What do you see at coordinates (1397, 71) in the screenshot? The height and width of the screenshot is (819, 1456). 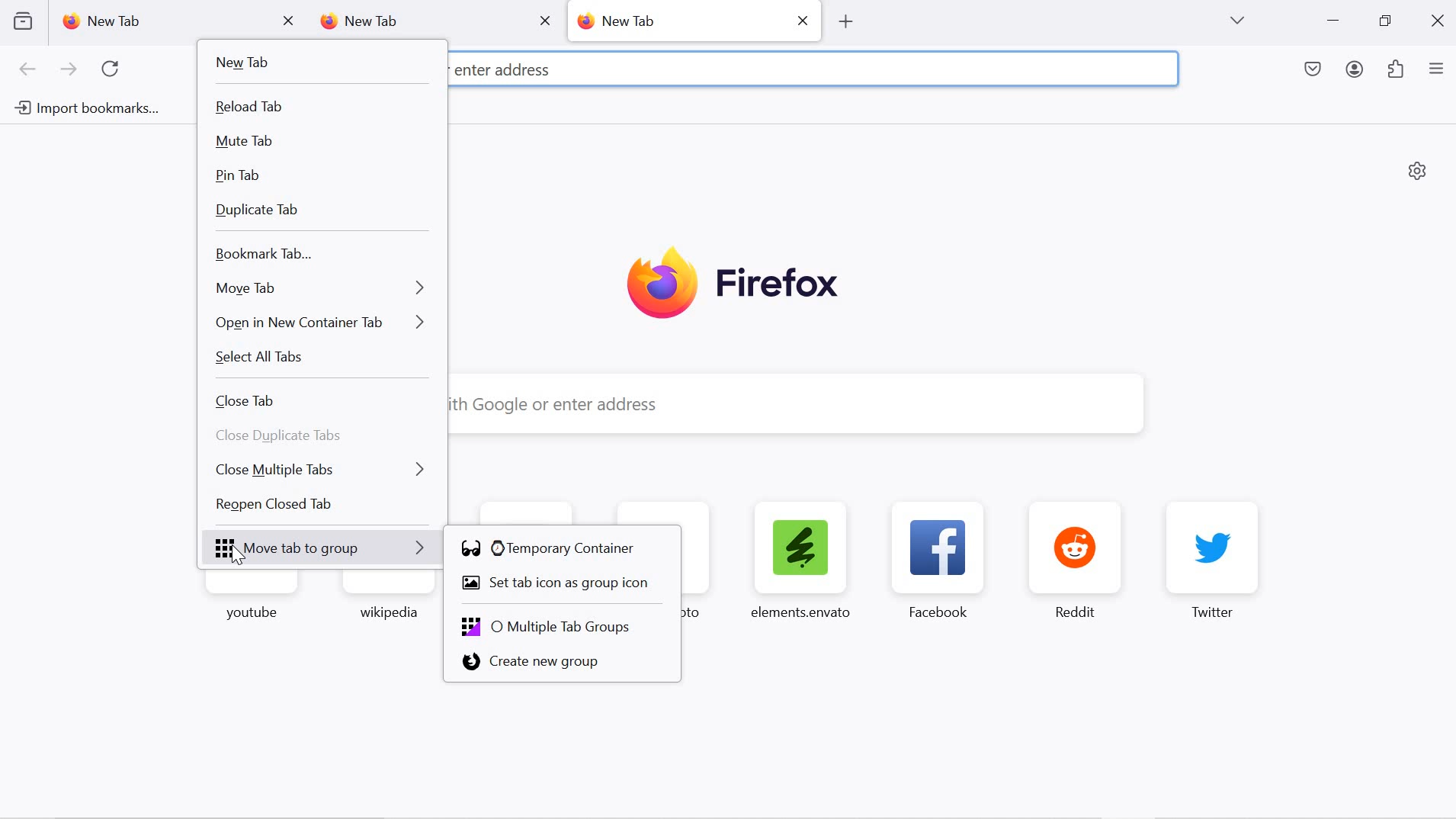 I see `extensions` at bounding box center [1397, 71].